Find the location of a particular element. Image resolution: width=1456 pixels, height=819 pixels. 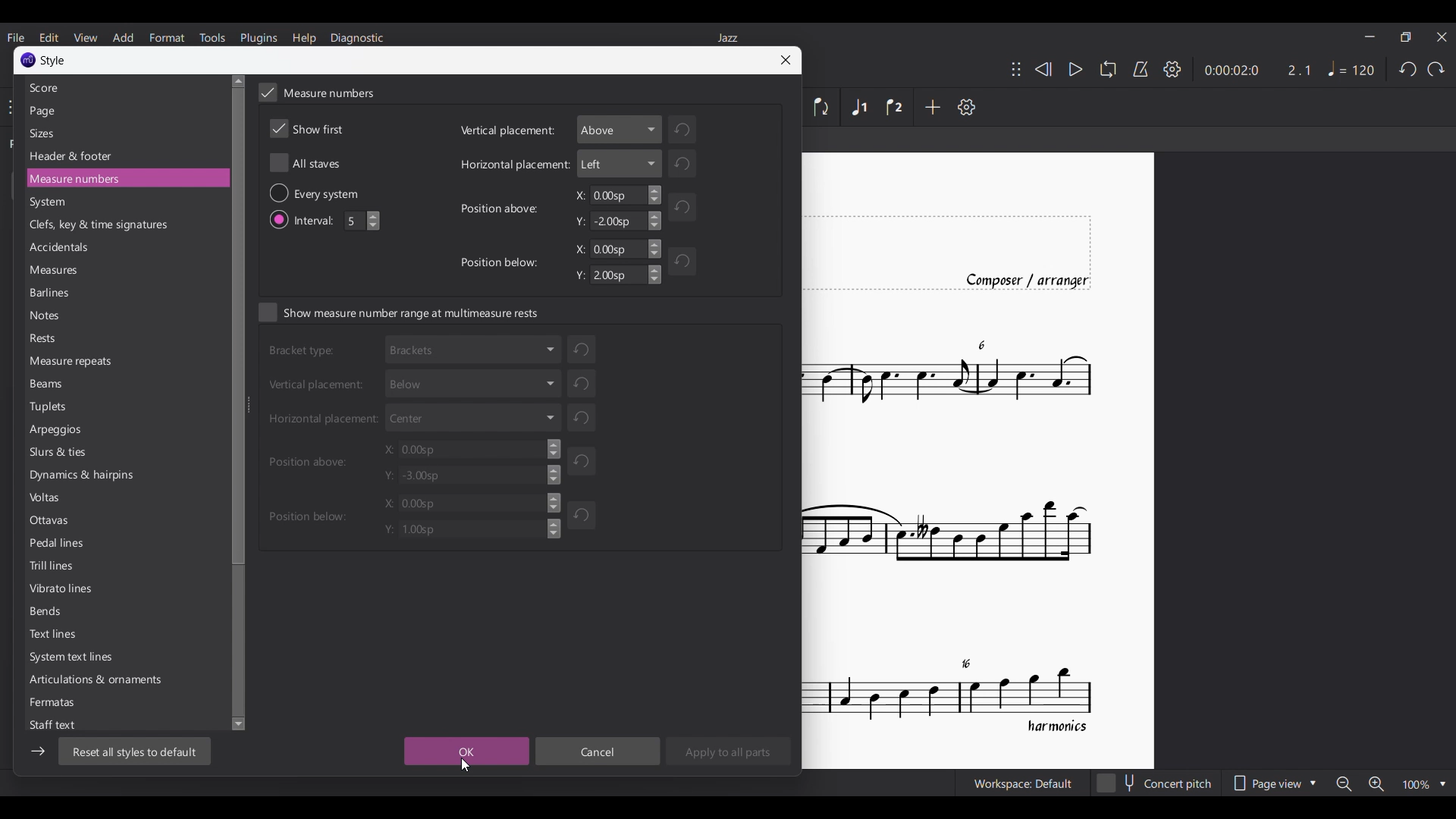

Y is located at coordinates (614, 275).